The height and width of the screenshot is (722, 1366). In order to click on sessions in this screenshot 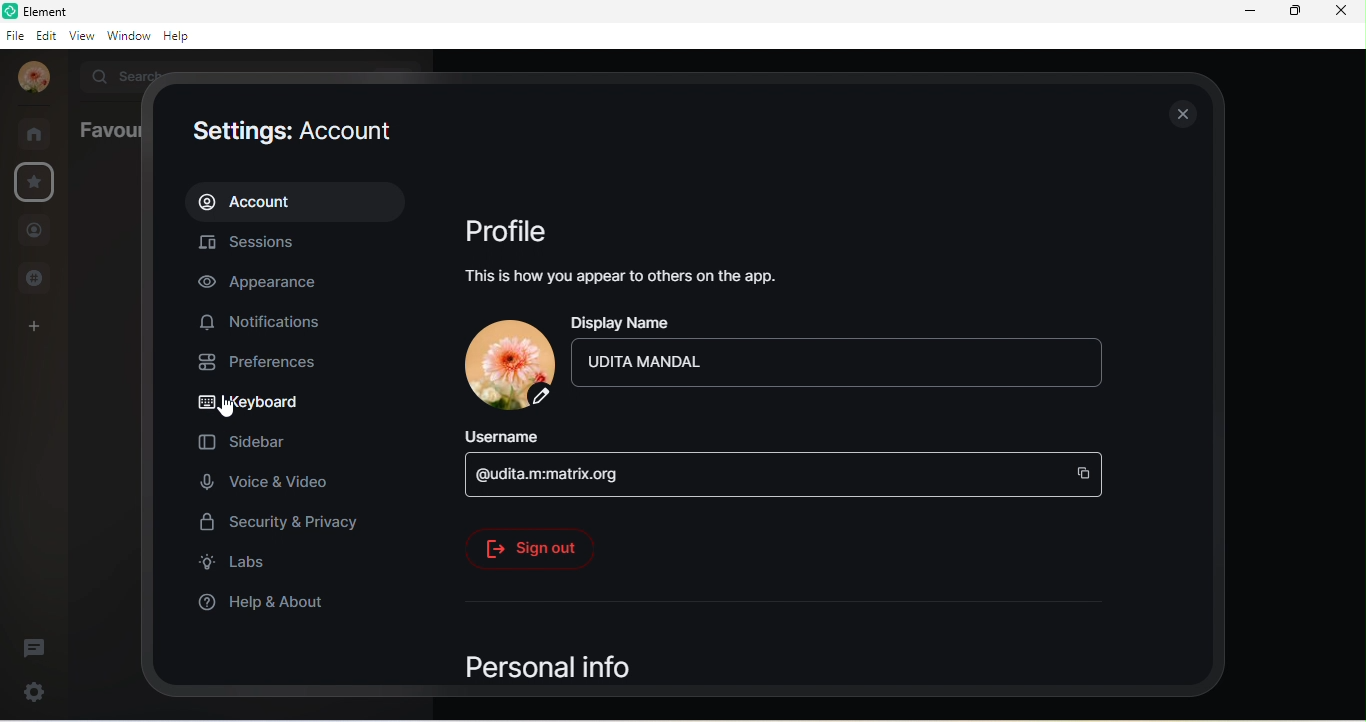, I will do `click(259, 243)`.